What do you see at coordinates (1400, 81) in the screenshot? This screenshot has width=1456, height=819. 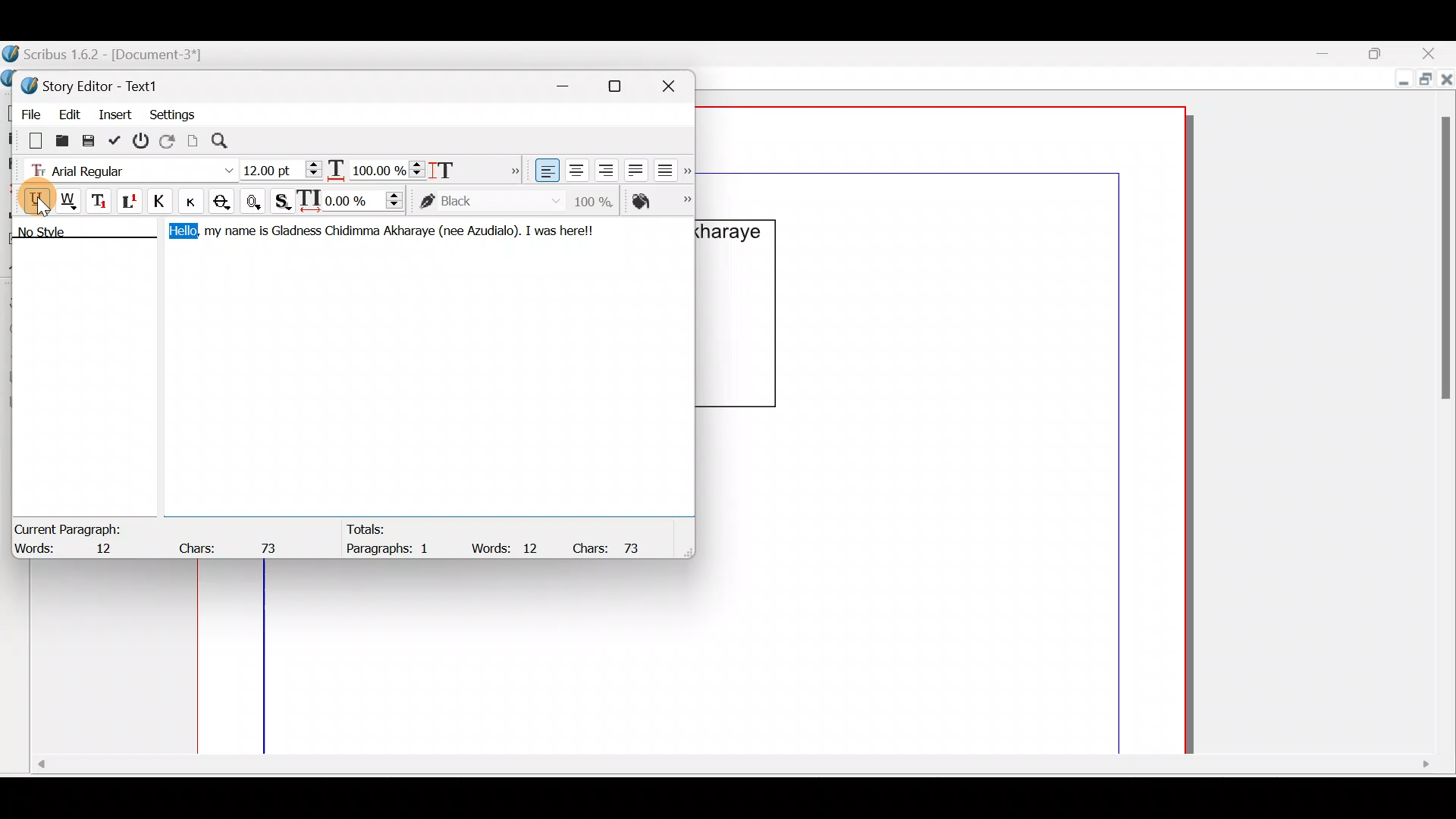 I see `Minimize` at bounding box center [1400, 81].